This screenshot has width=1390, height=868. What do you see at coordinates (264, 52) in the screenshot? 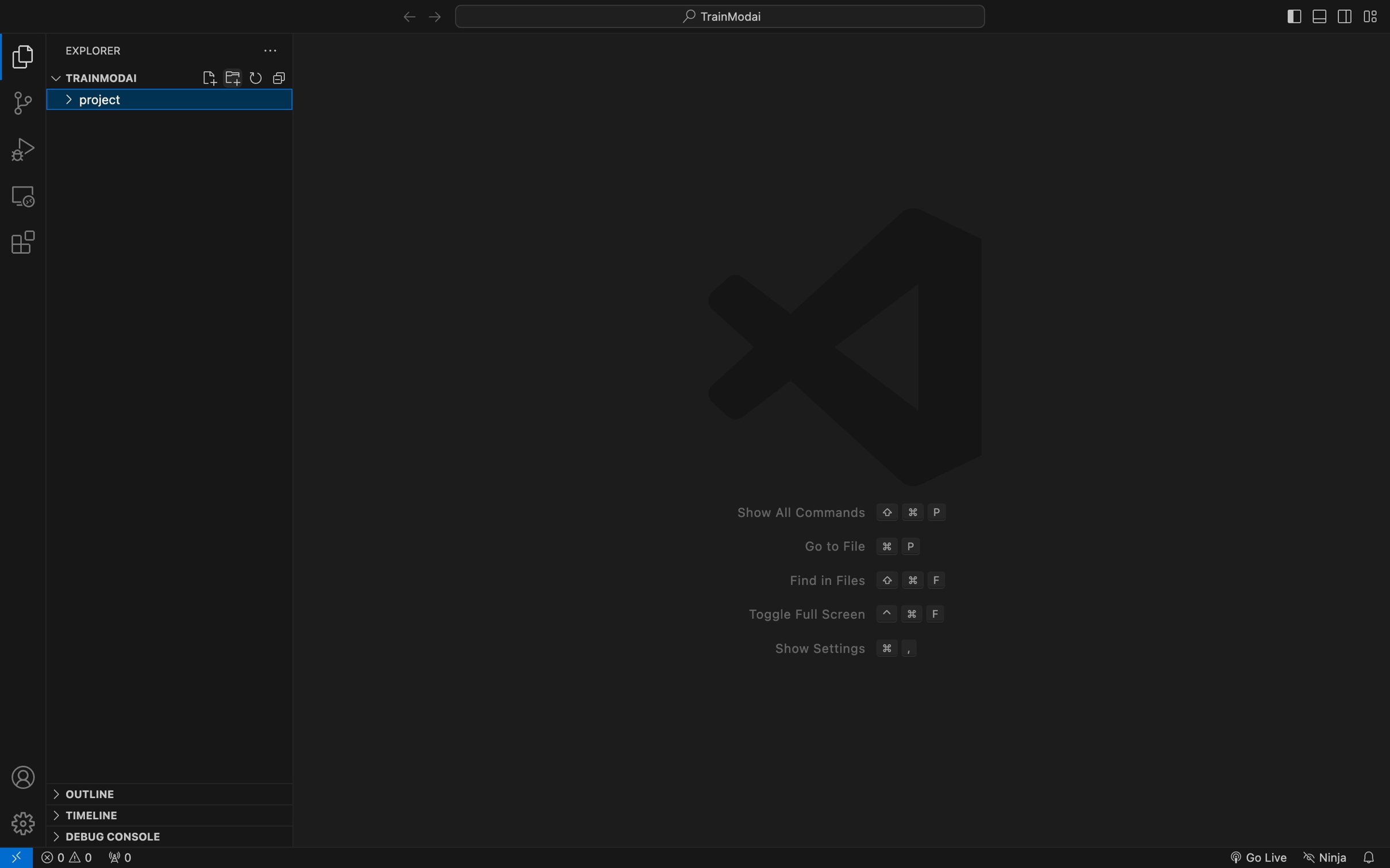
I see `explore settings` at bounding box center [264, 52].